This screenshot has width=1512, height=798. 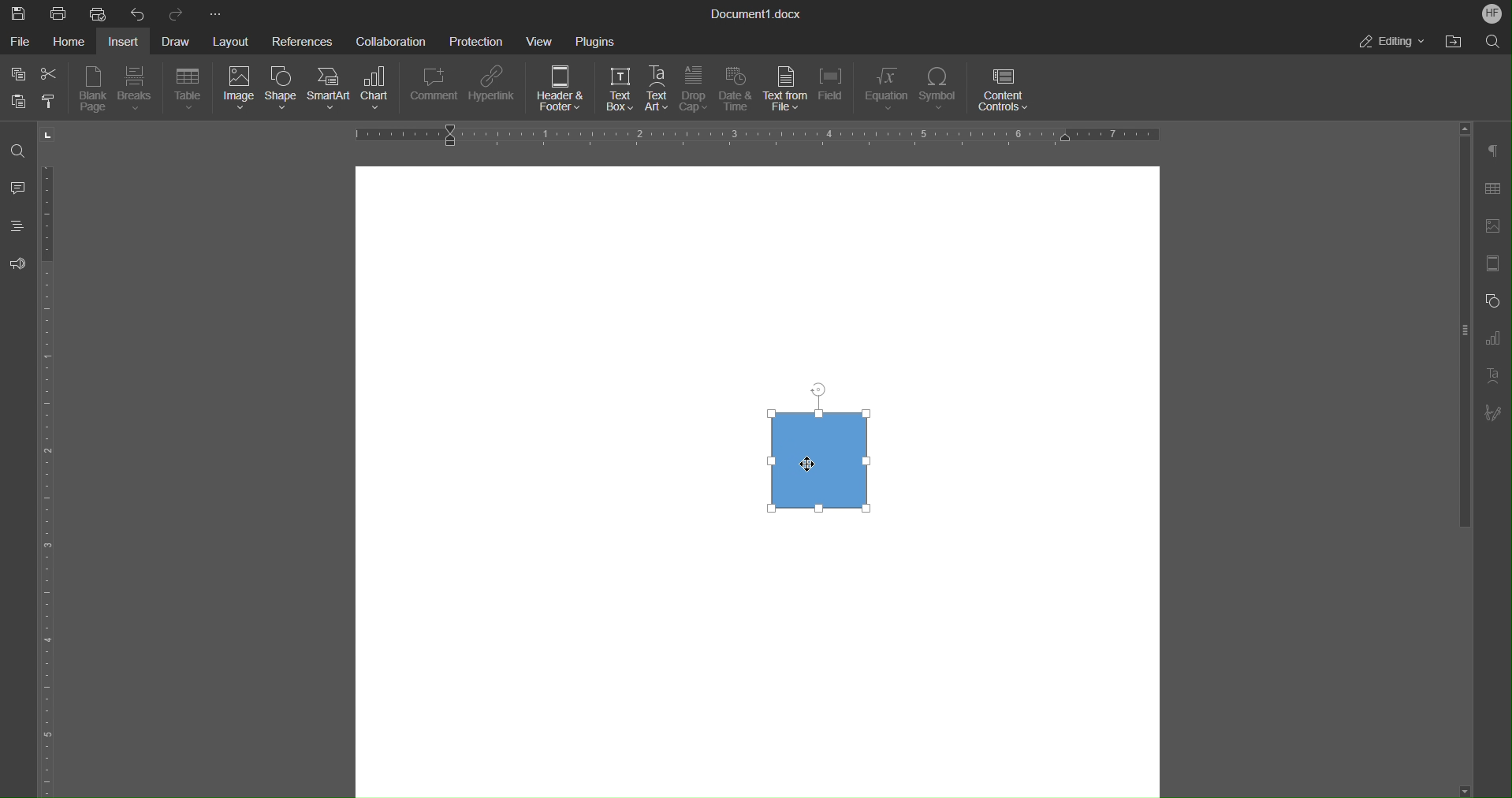 I want to click on Search, so click(x=1490, y=42).